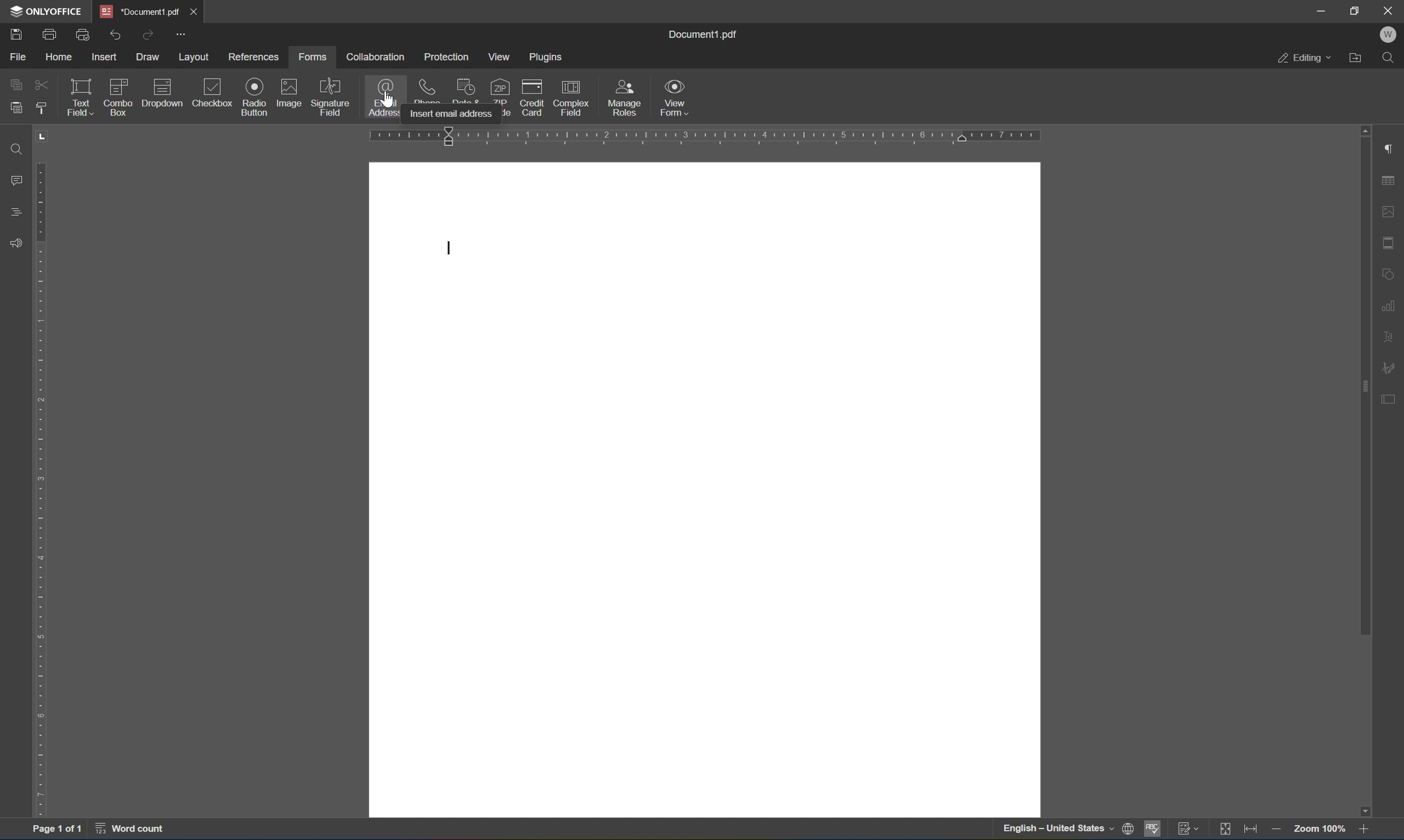 The height and width of the screenshot is (840, 1404). Describe the element at coordinates (150, 58) in the screenshot. I see `draw` at that location.